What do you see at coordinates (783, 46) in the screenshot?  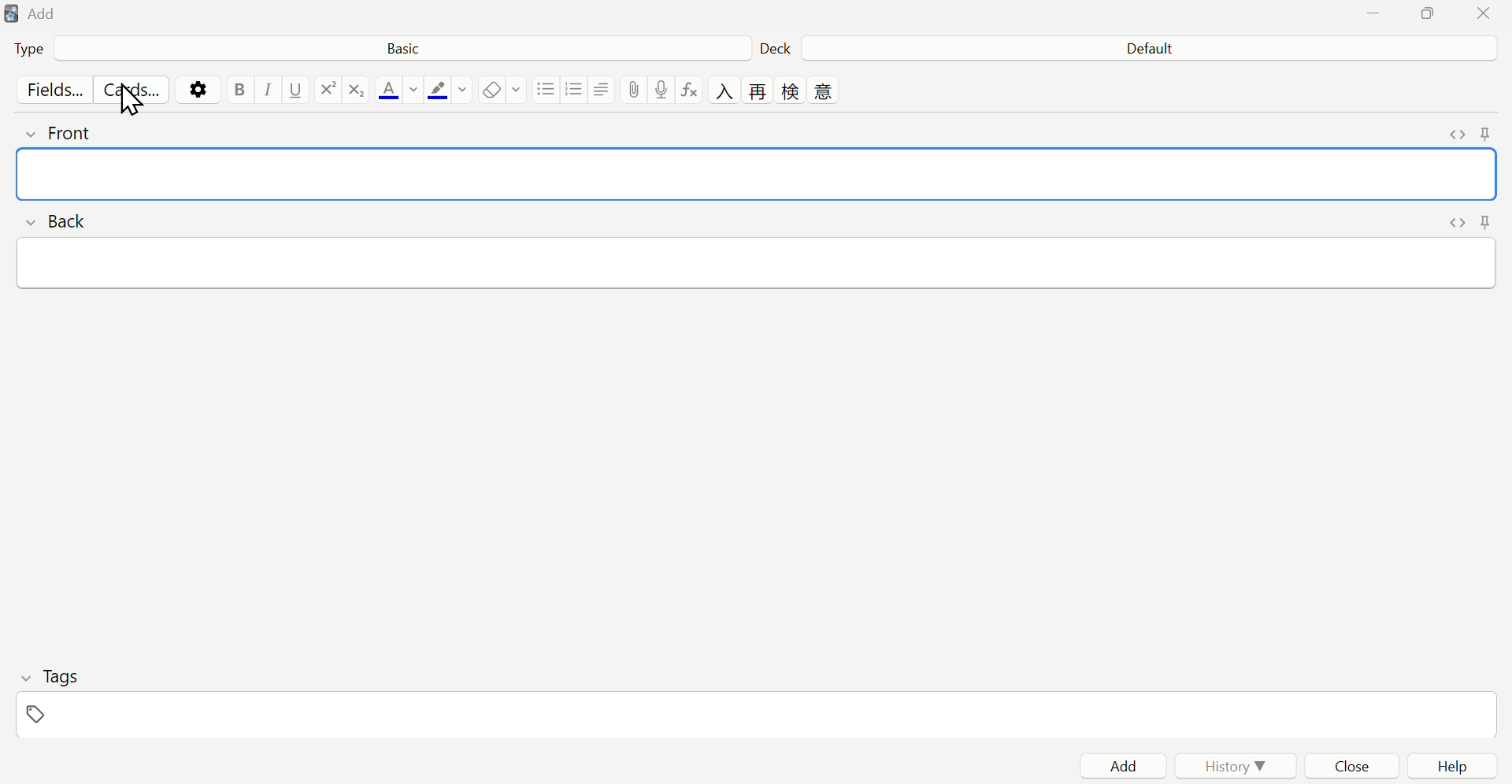 I see `Deck` at bounding box center [783, 46].